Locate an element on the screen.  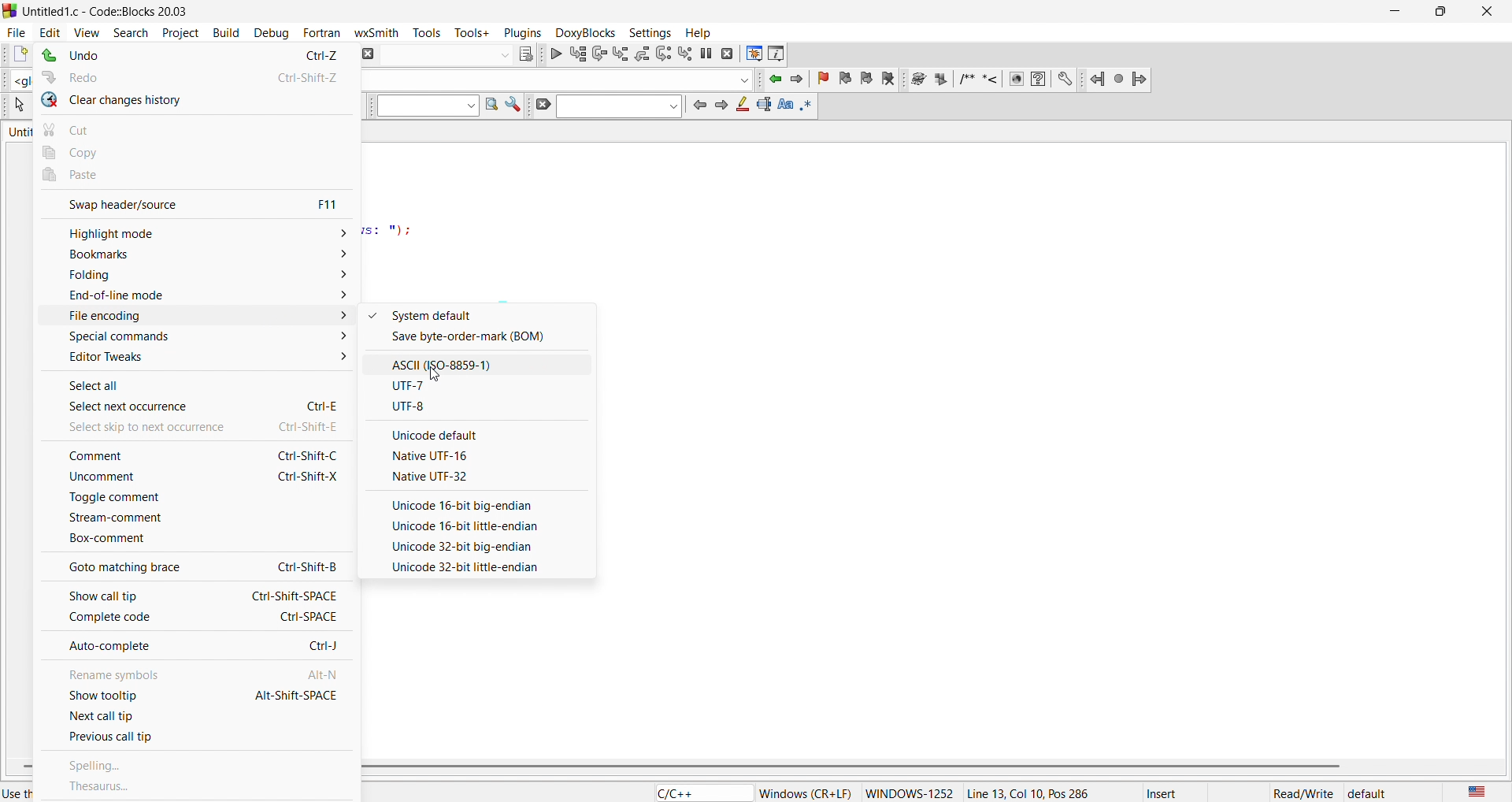
spelling  is located at coordinates (198, 763).